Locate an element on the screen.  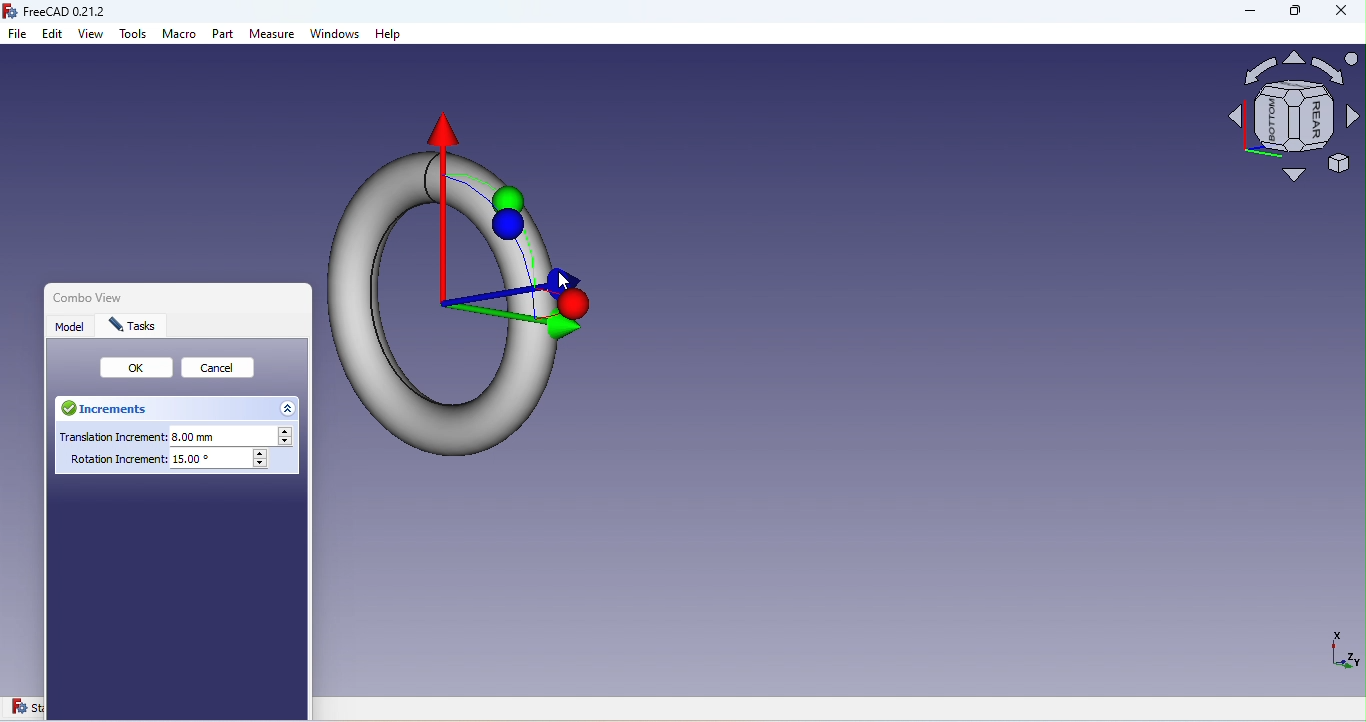
Rotation increment is located at coordinates (160, 463).